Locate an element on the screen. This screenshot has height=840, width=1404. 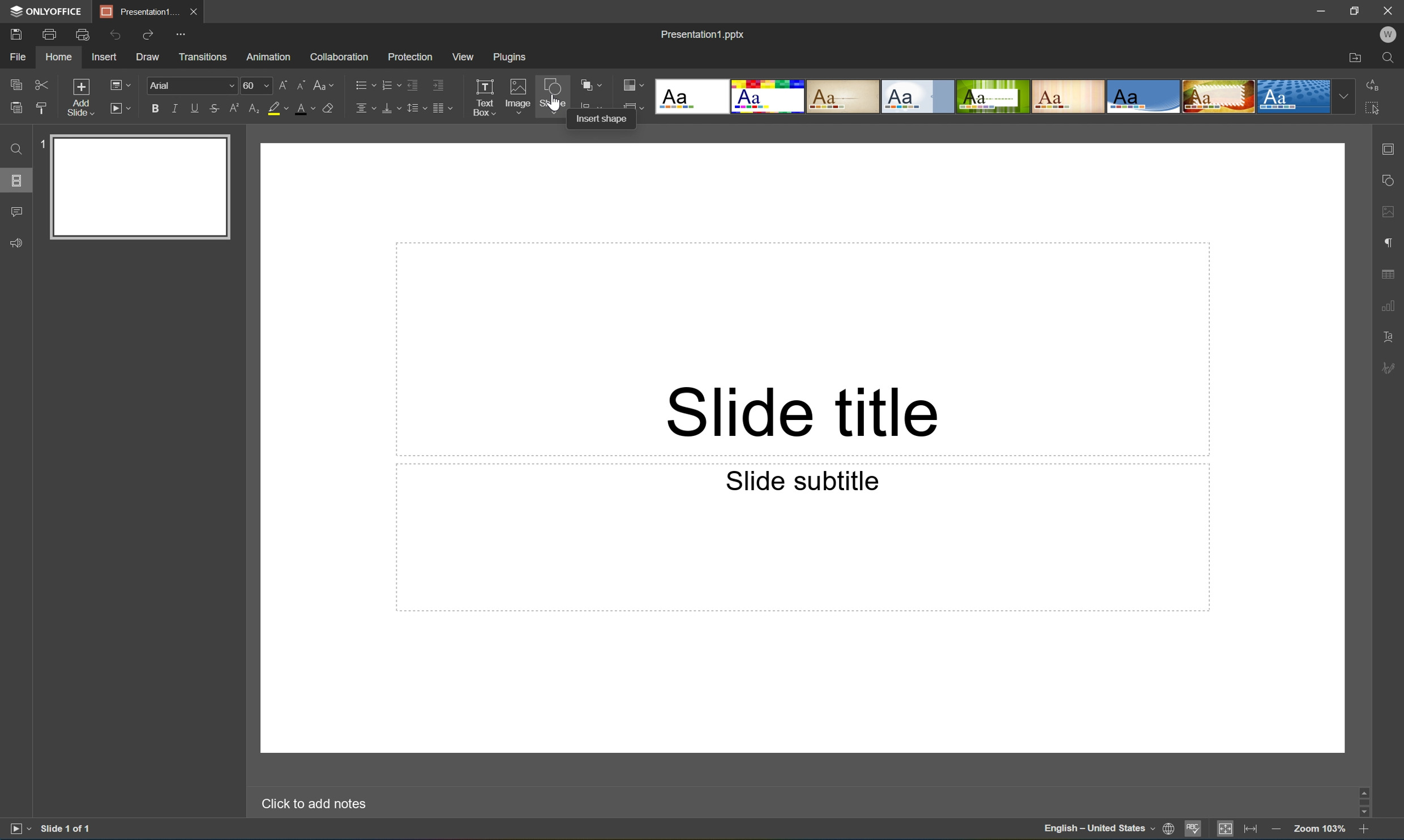
Change case is located at coordinates (327, 85).